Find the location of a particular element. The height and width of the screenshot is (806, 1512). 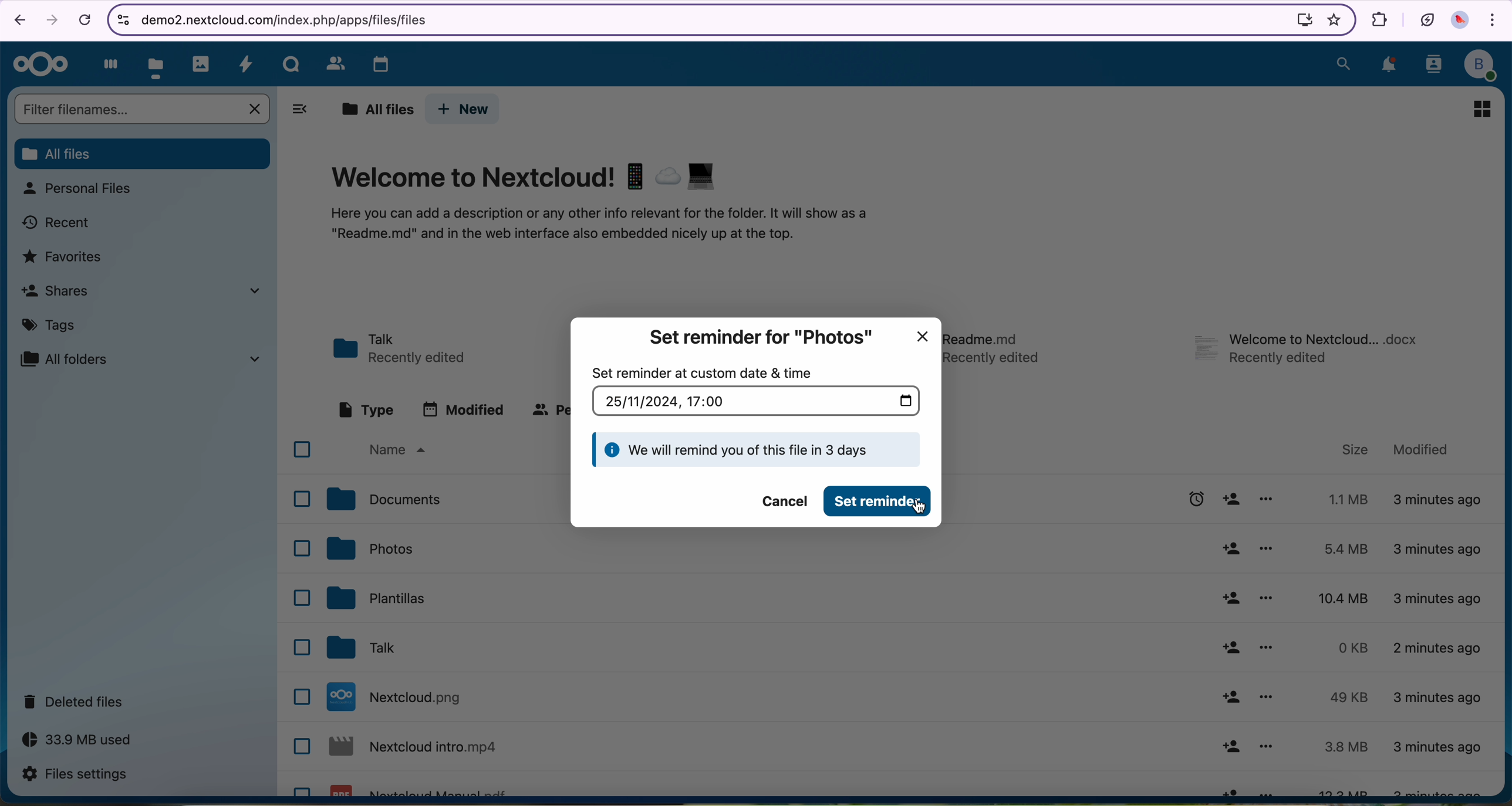

Nextcloud pdf is located at coordinates (423, 788).